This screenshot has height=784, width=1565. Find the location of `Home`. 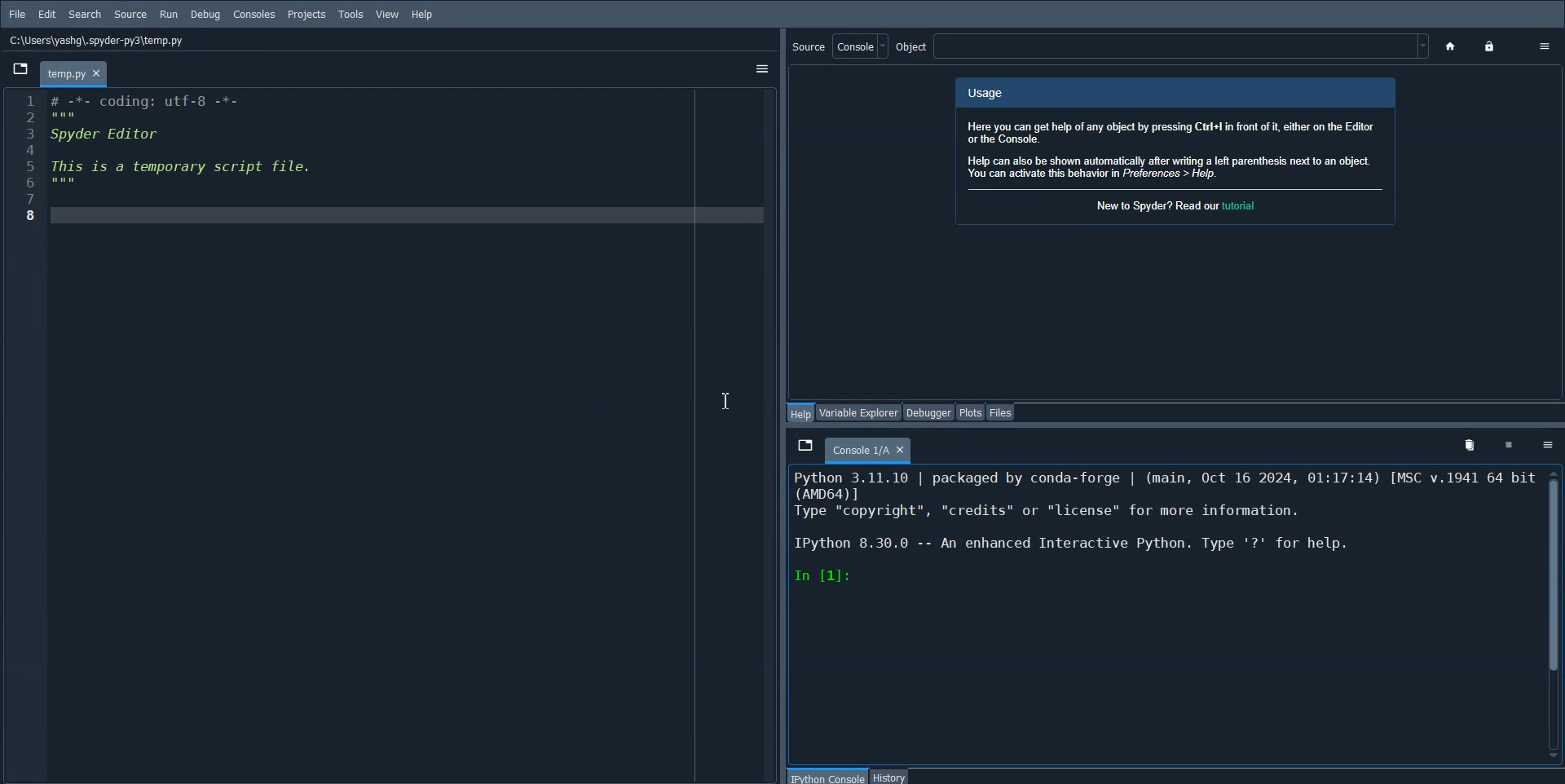

Home is located at coordinates (1453, 47).